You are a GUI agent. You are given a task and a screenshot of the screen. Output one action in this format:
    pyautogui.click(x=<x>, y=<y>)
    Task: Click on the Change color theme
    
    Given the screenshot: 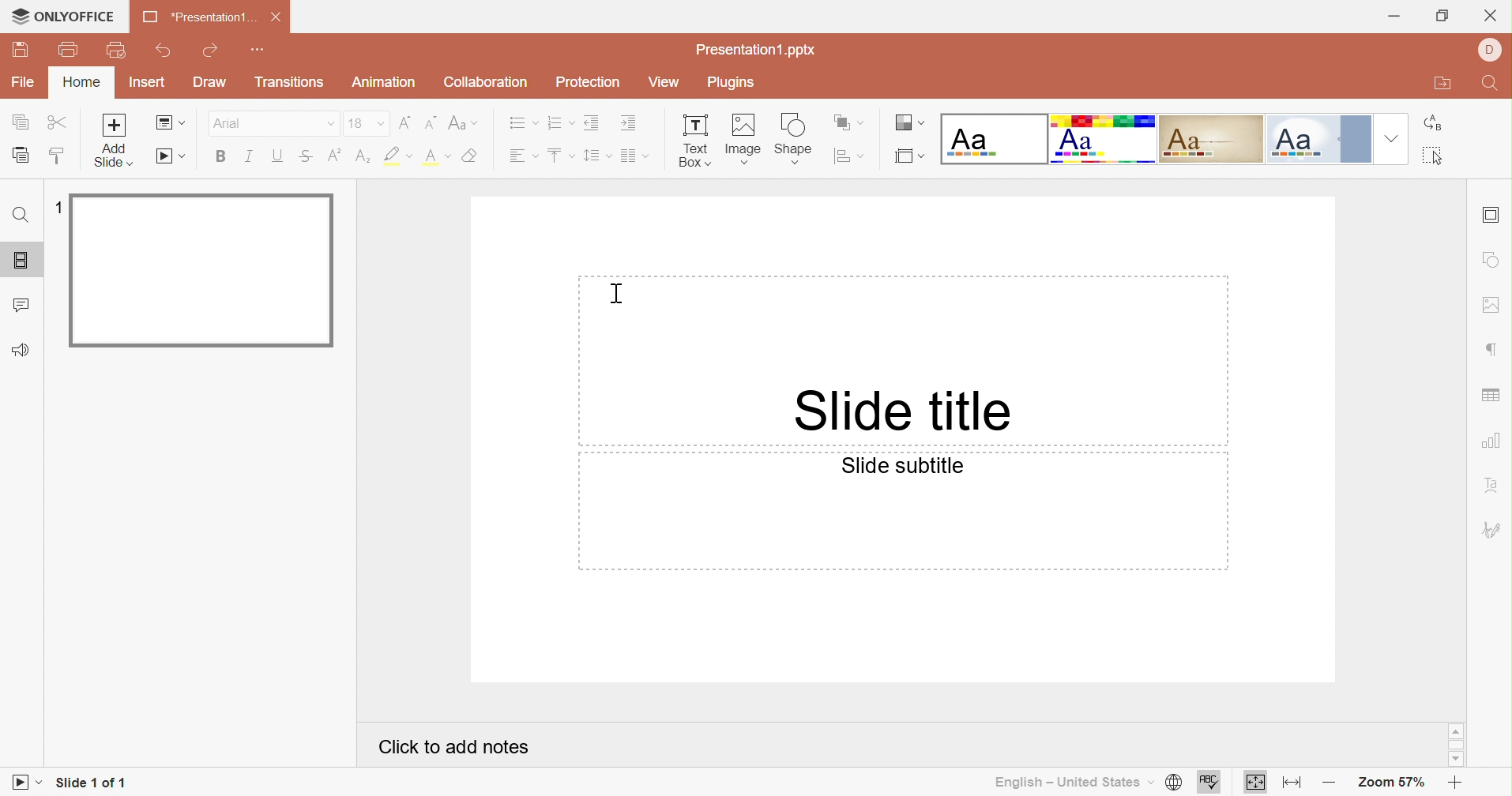 What is the action you would take?
    pyautogui.click(x=911, y=125)
    